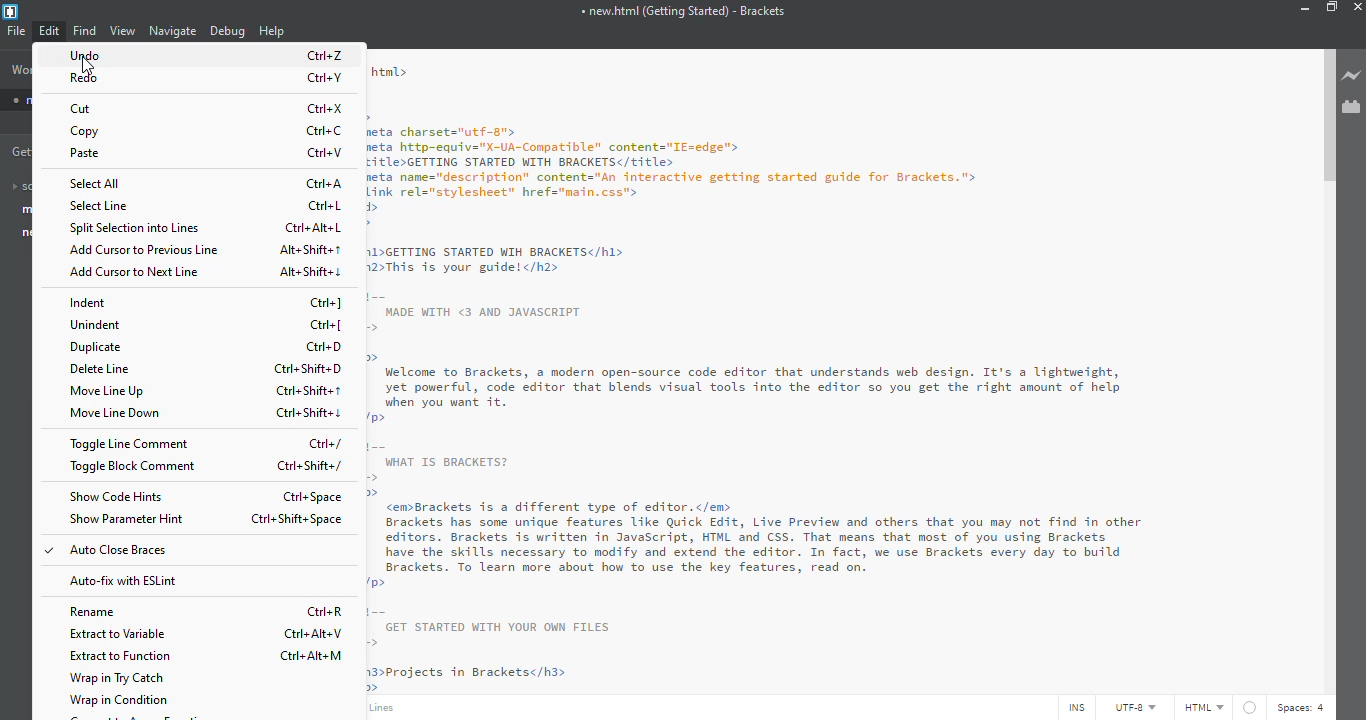 This screenshot has height=720, width=1366. I want to click on ctrl+a, so click(327, 184).